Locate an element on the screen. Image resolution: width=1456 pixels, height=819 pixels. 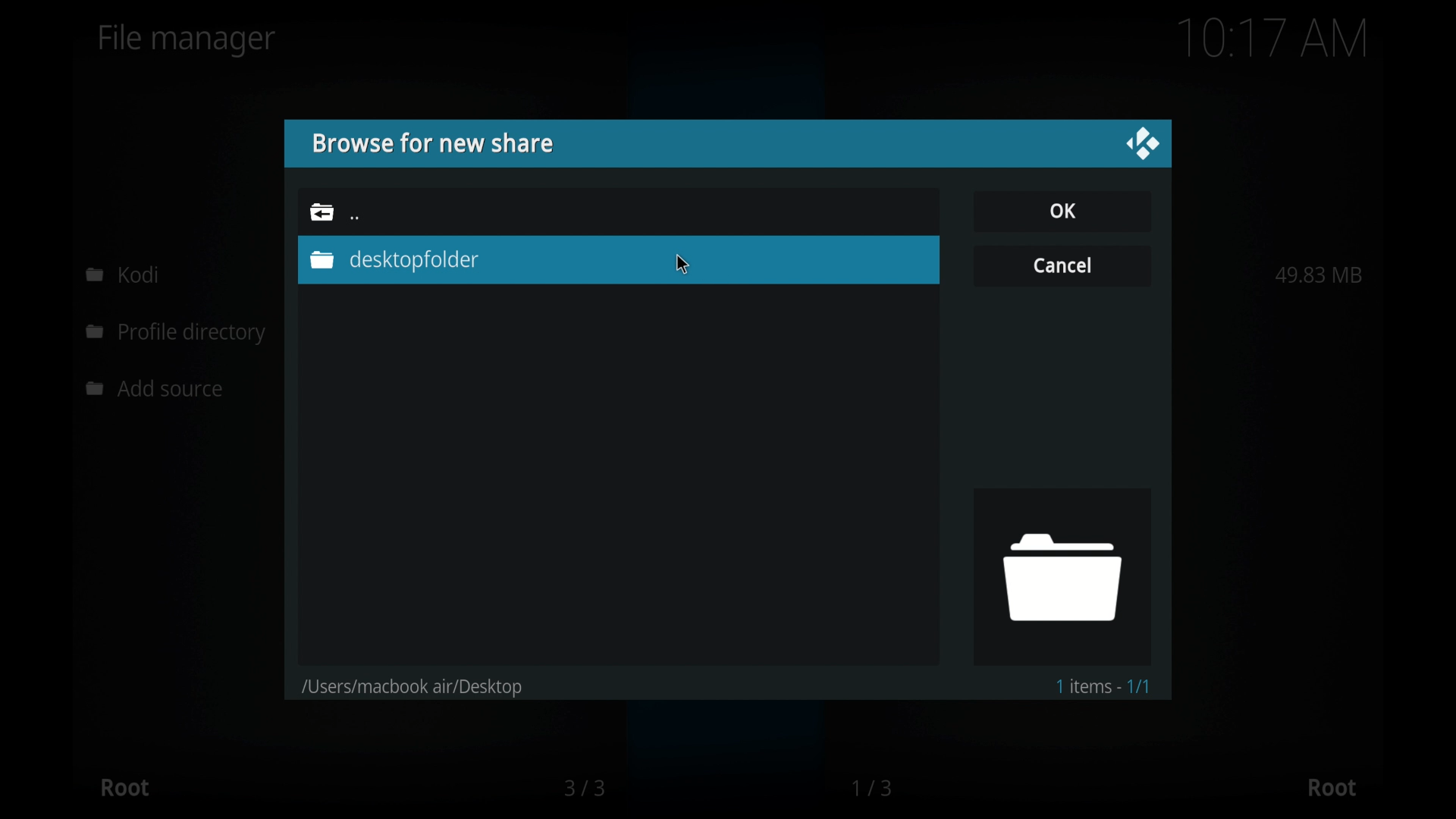
root is located at coordinates (124, 787).